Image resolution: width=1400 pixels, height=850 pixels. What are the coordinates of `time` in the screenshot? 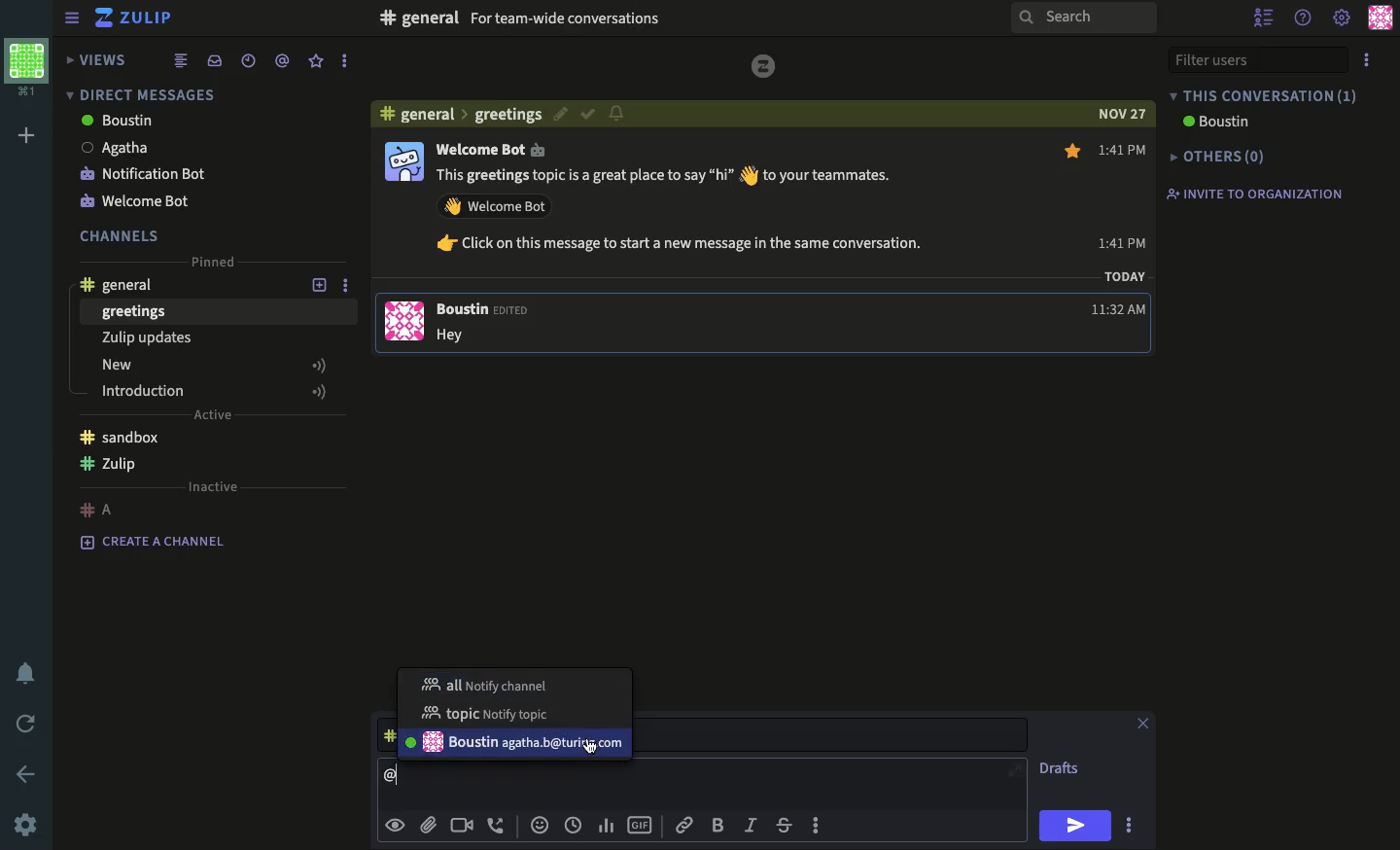 It's located at (575, 826).